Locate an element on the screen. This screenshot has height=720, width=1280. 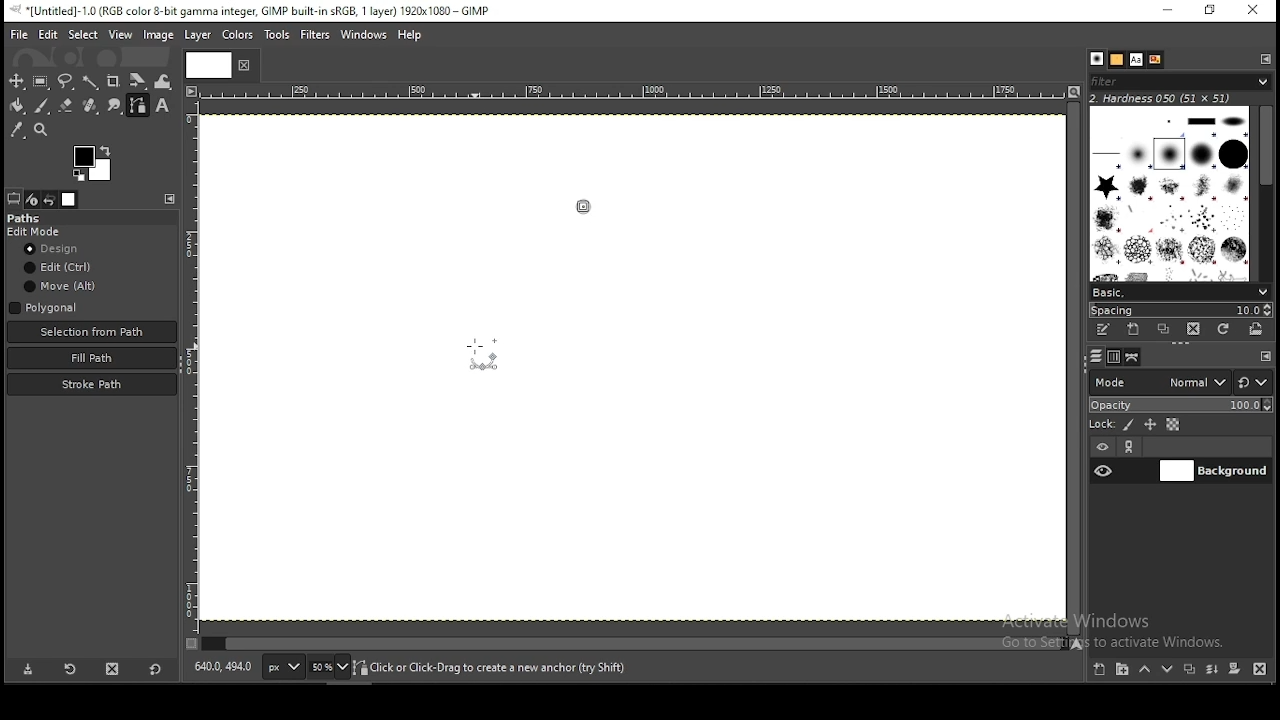
layer visibility is located at coordinates (1103, 446).